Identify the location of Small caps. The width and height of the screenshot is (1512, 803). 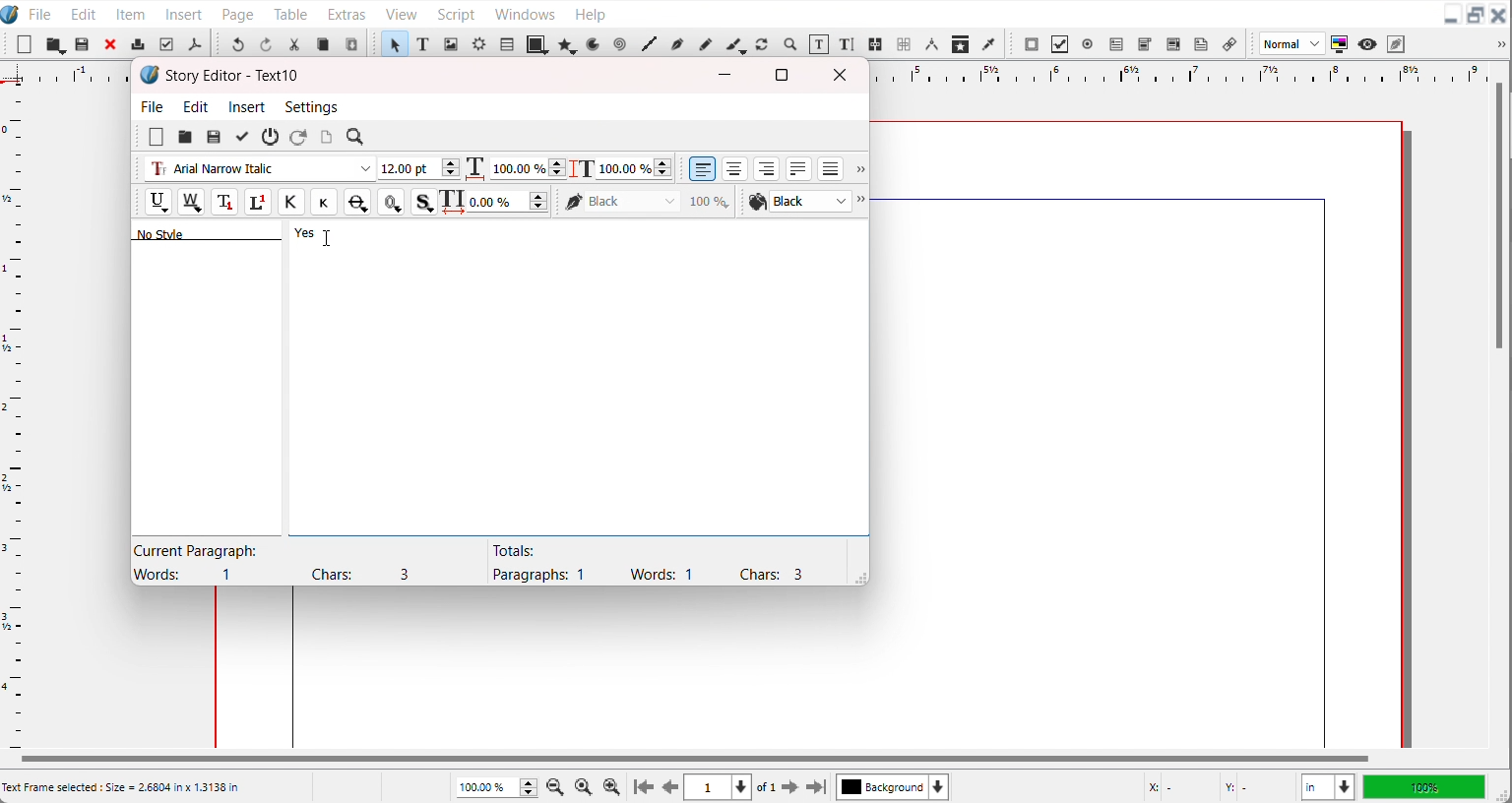
(323, 201).